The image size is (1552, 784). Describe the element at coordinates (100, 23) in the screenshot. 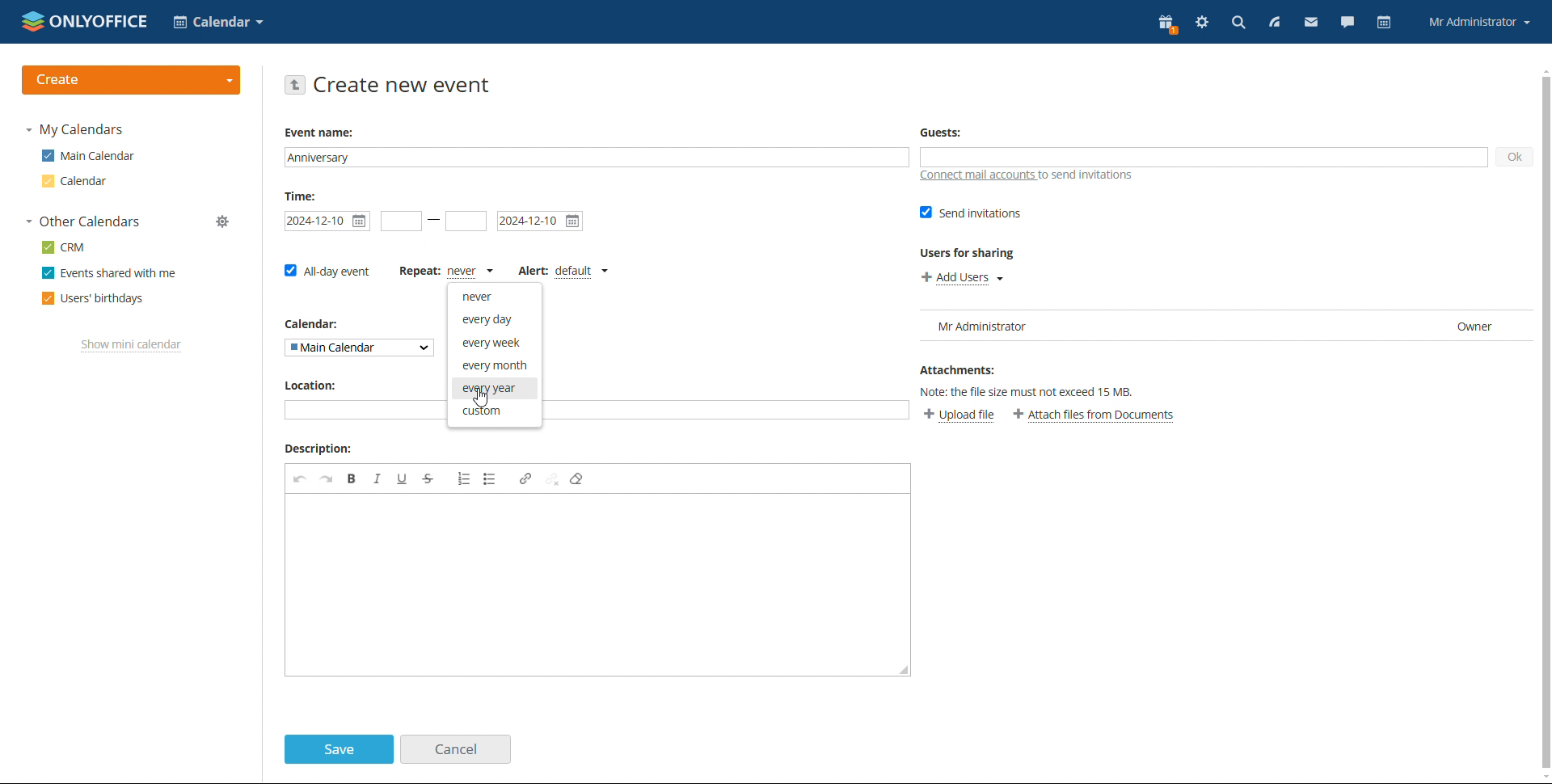

I see `onlyoffice` at that location.